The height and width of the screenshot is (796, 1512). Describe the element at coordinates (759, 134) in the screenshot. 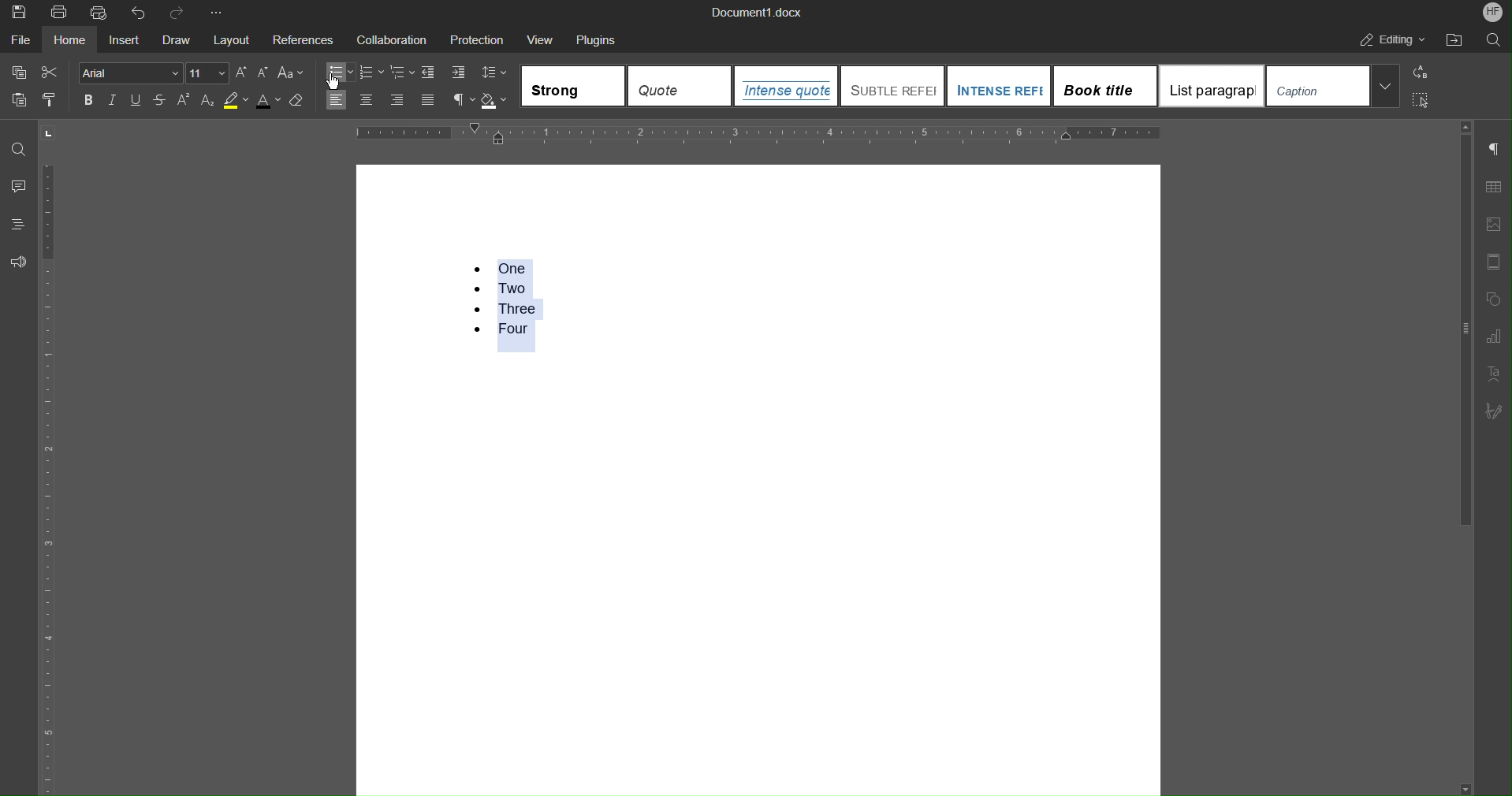

I see `Horizontal Ruler` at that location.